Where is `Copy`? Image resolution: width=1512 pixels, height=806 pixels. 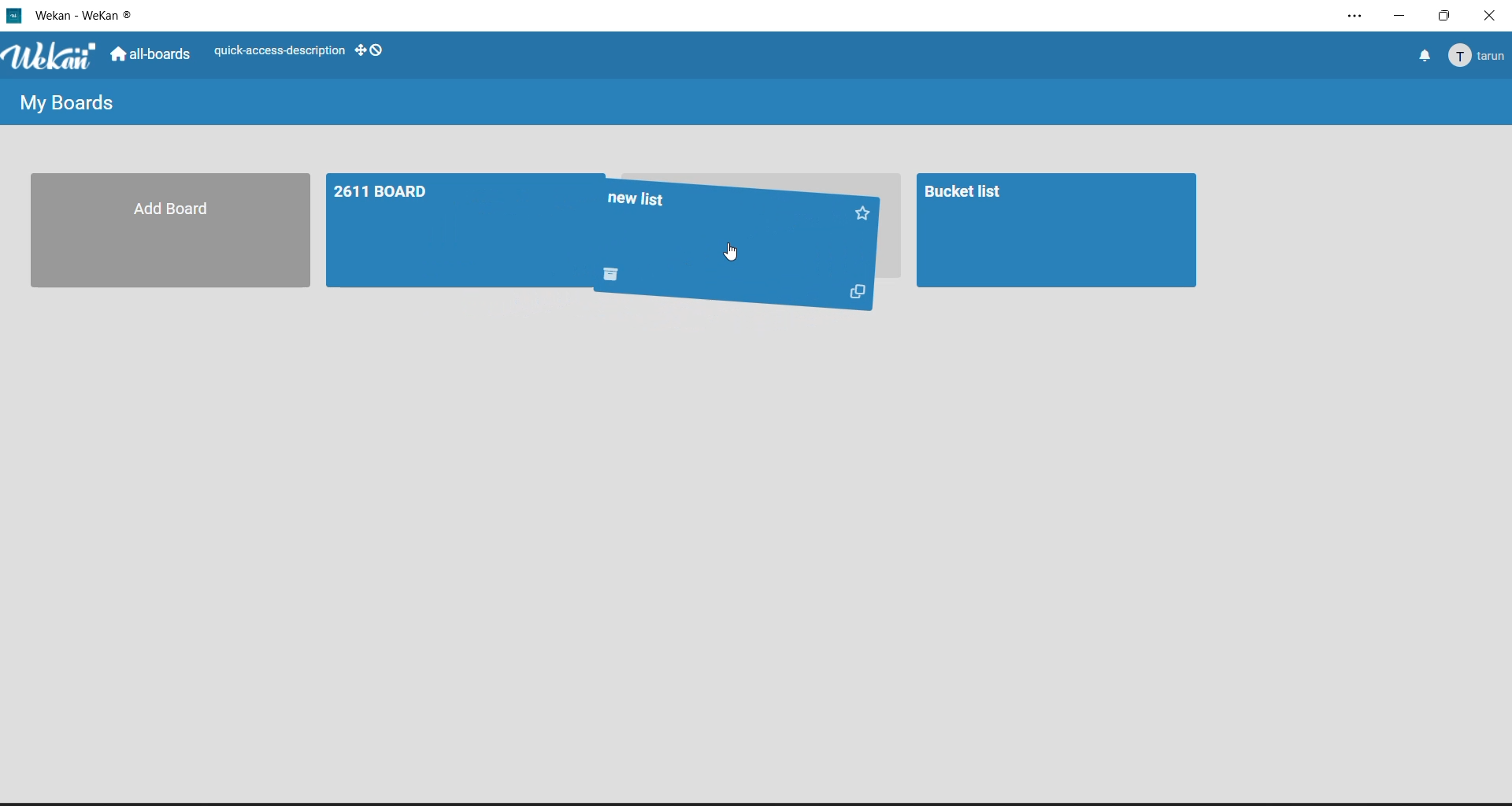
Copy is located at coordinates (854, 294).